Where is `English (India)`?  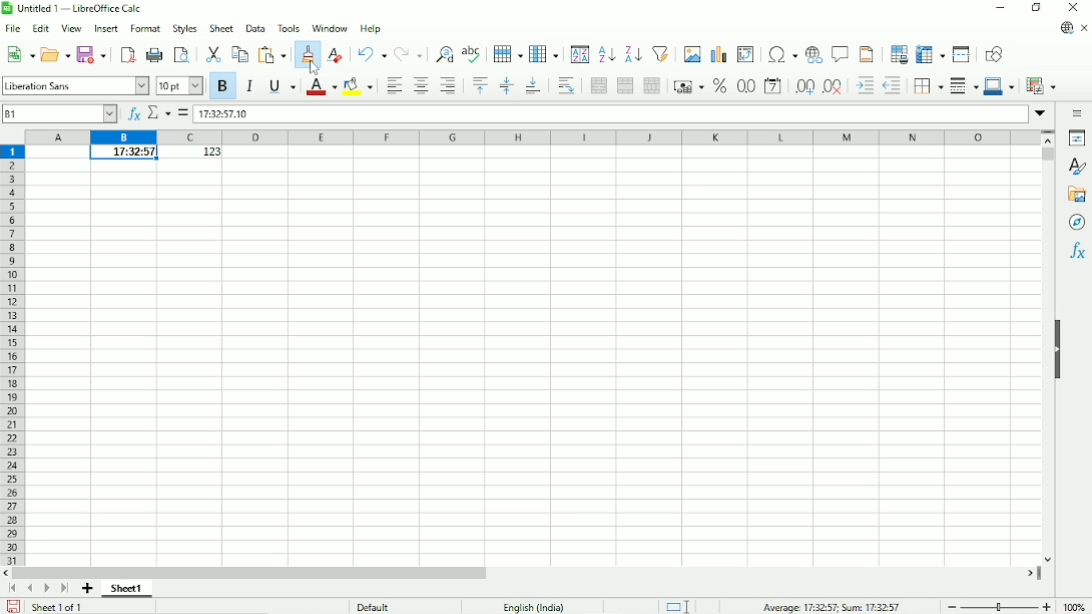 English (India) is located at coordinates (537, 605).